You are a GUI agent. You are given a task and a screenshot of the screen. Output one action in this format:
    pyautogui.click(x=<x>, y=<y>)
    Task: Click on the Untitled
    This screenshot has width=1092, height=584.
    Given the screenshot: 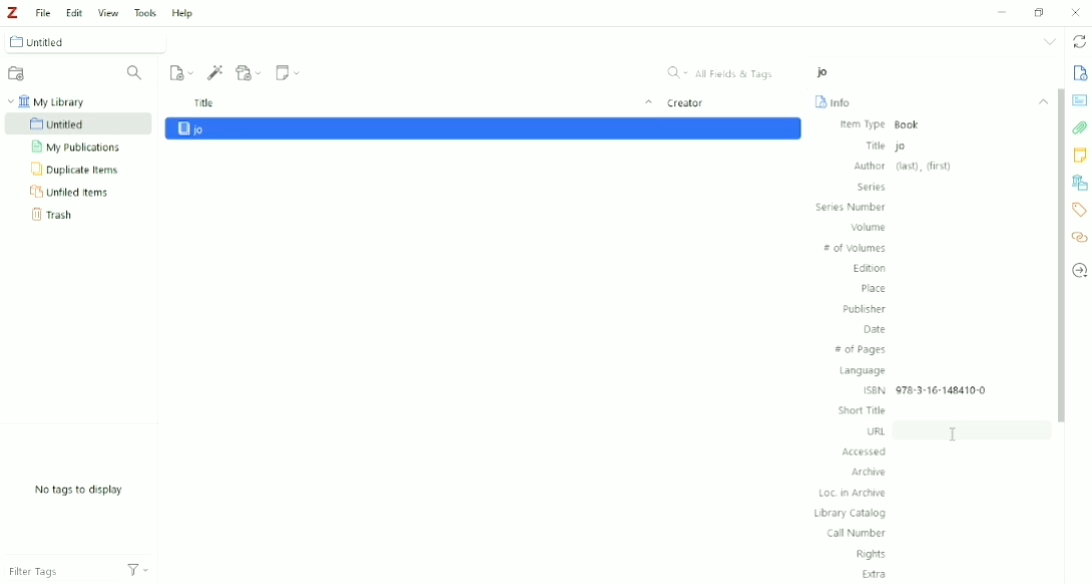 What is the action you would take?
    pyautogui.click(x=83, y=41)
    